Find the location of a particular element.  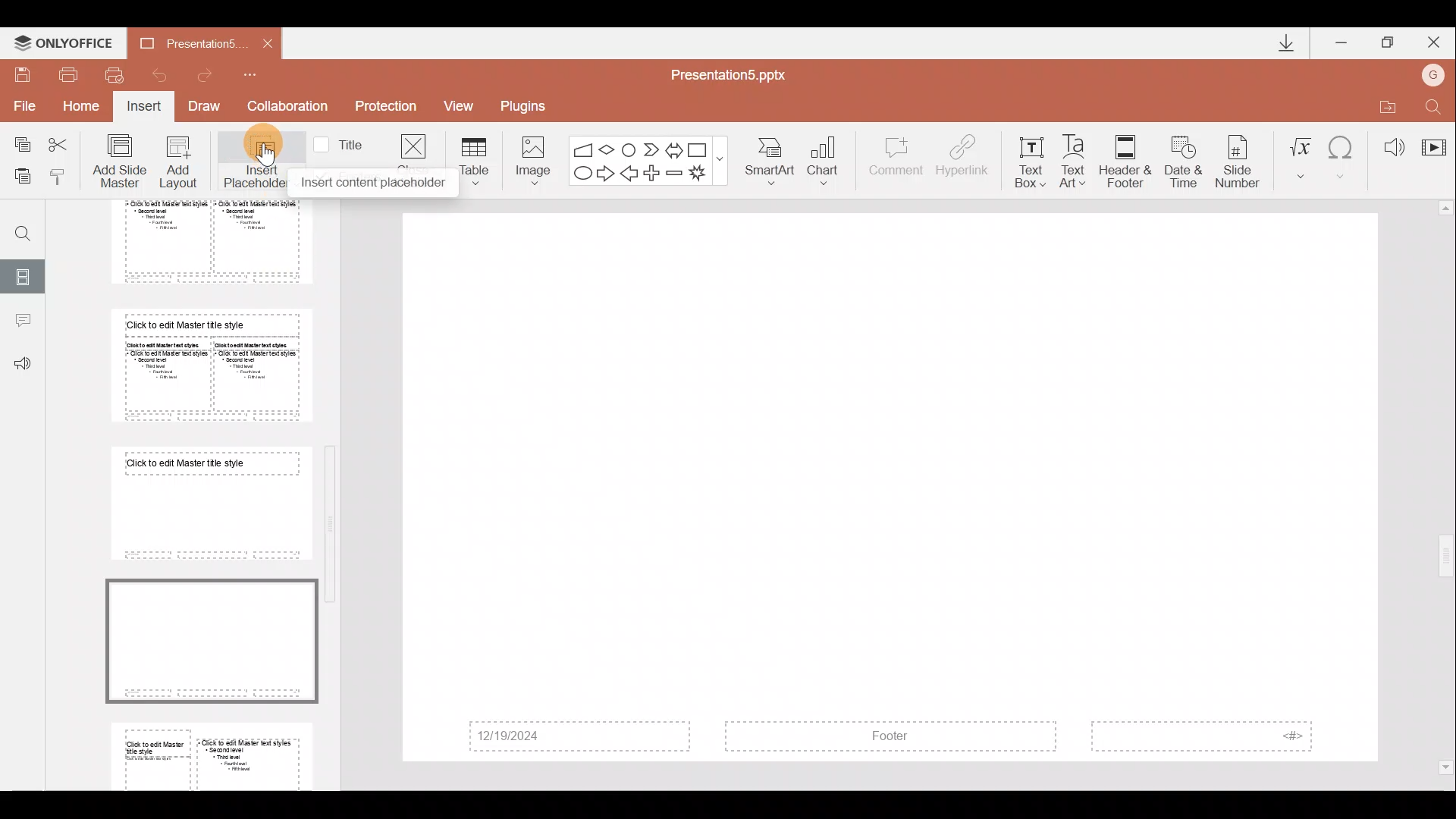

Symbol is located at coordinates (1343, 155).